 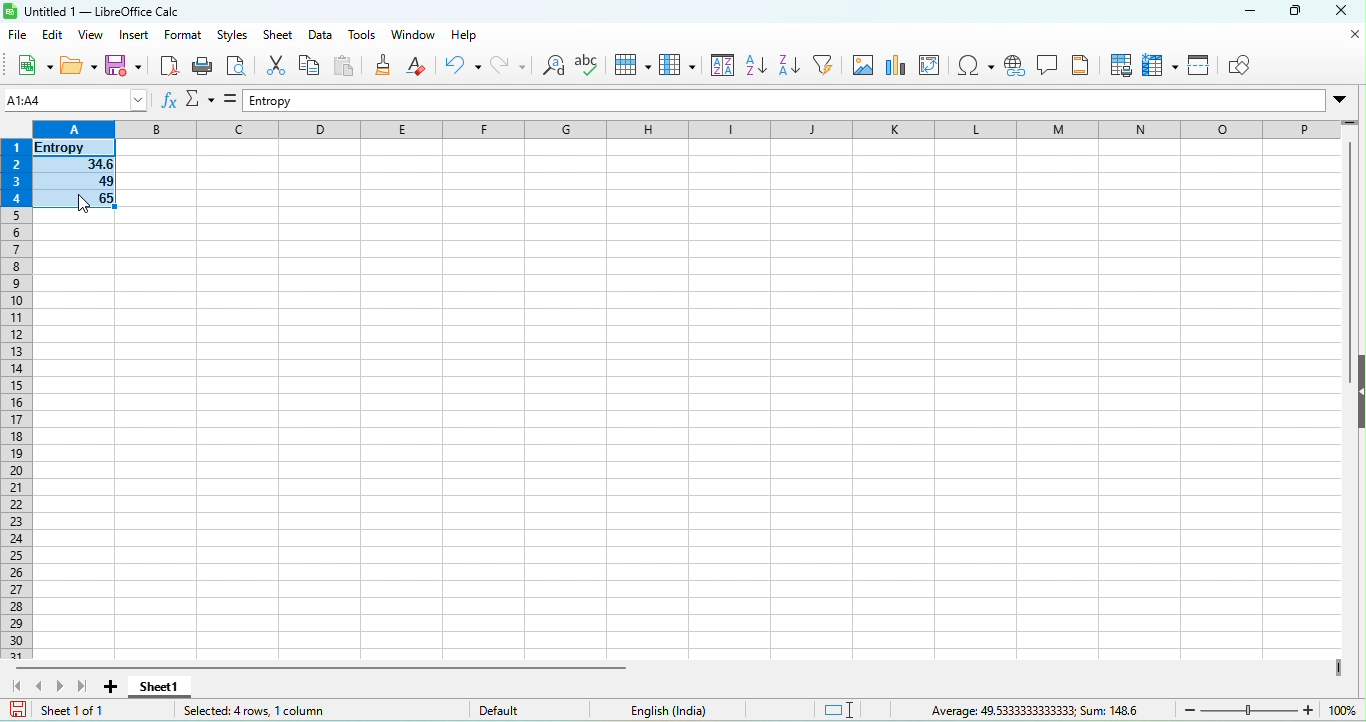 What do you see at coordinates (84, 686) in the screenshot?
I see `scroll to last sheet` at bounding box center [84, 686].